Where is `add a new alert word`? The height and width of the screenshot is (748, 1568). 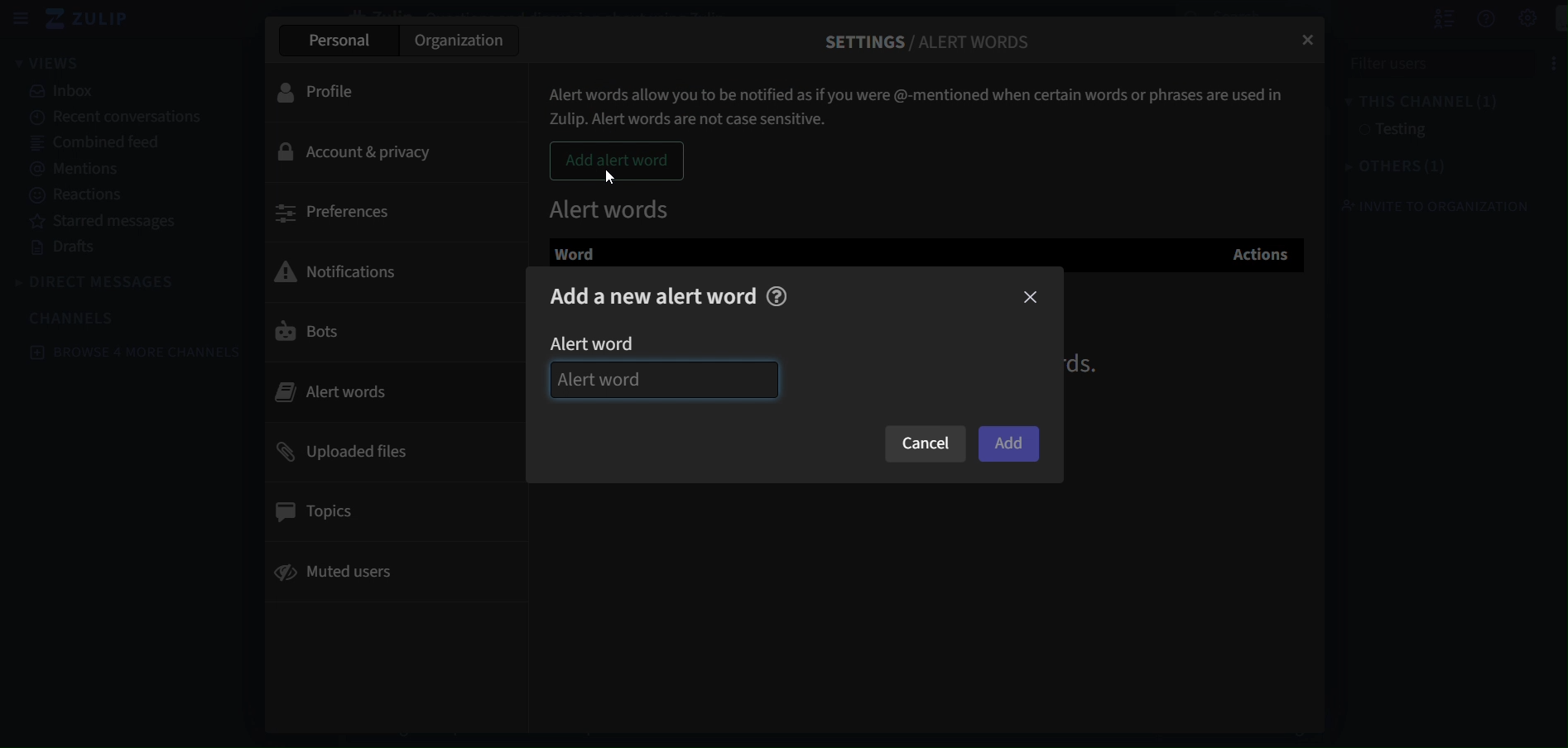 add a new alert word is located at coordinates (655, 296).